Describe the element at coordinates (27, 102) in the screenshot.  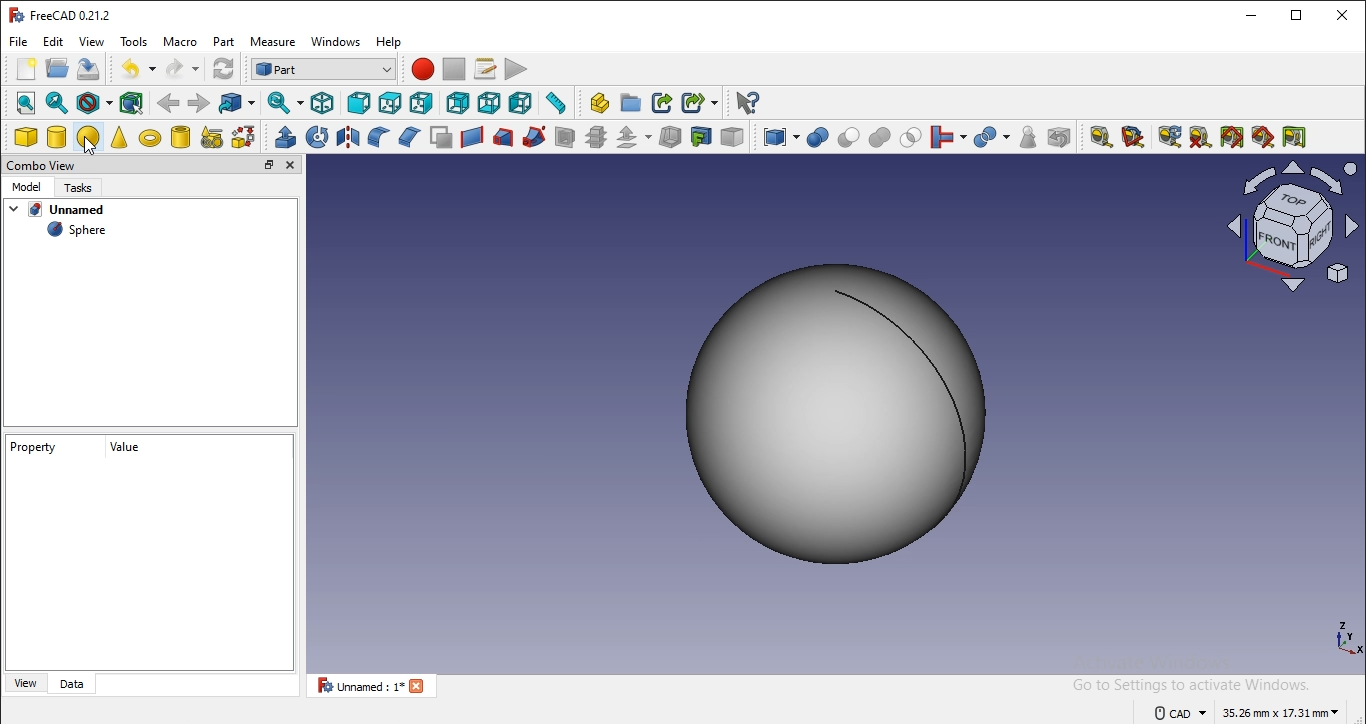
I see `fit all` at that location.